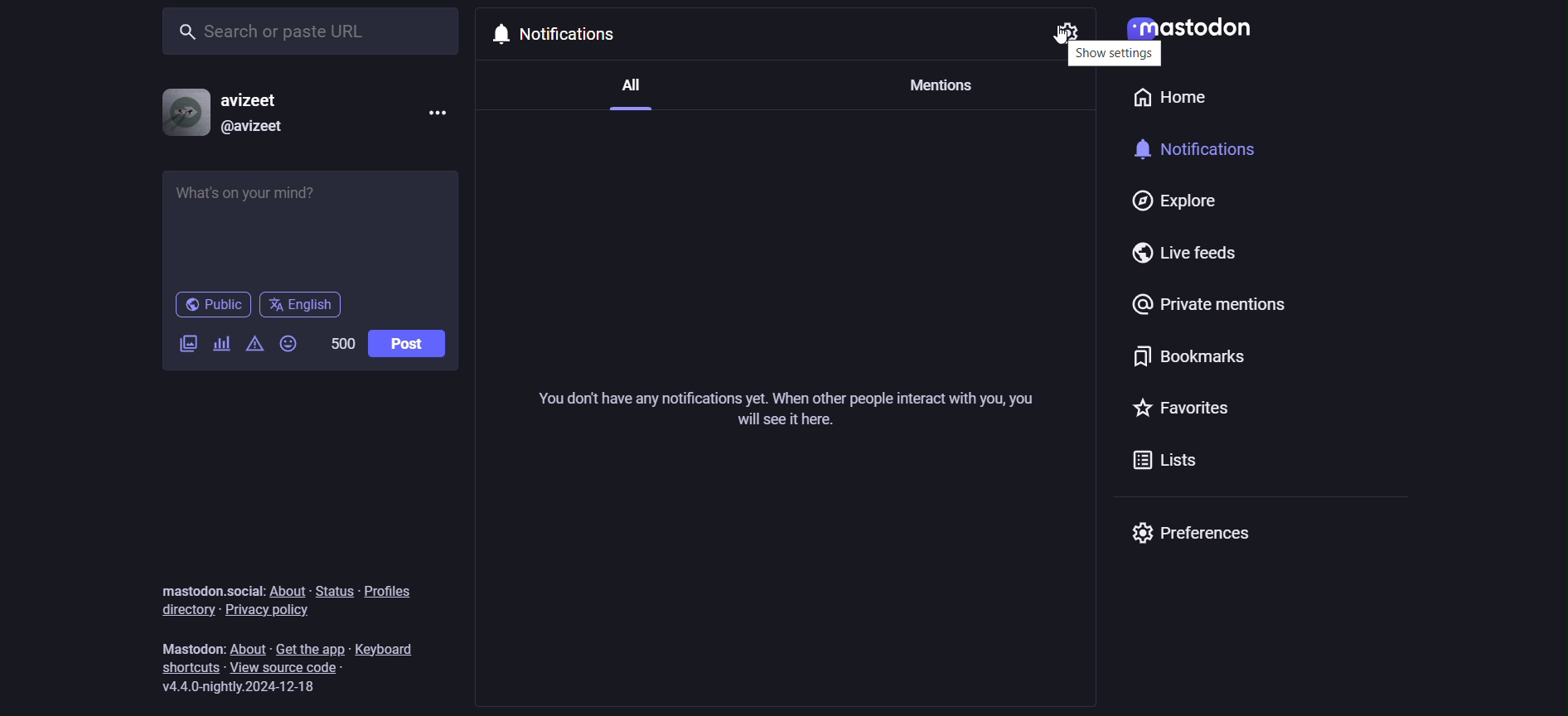  I want to click on text, so click(191, 650).